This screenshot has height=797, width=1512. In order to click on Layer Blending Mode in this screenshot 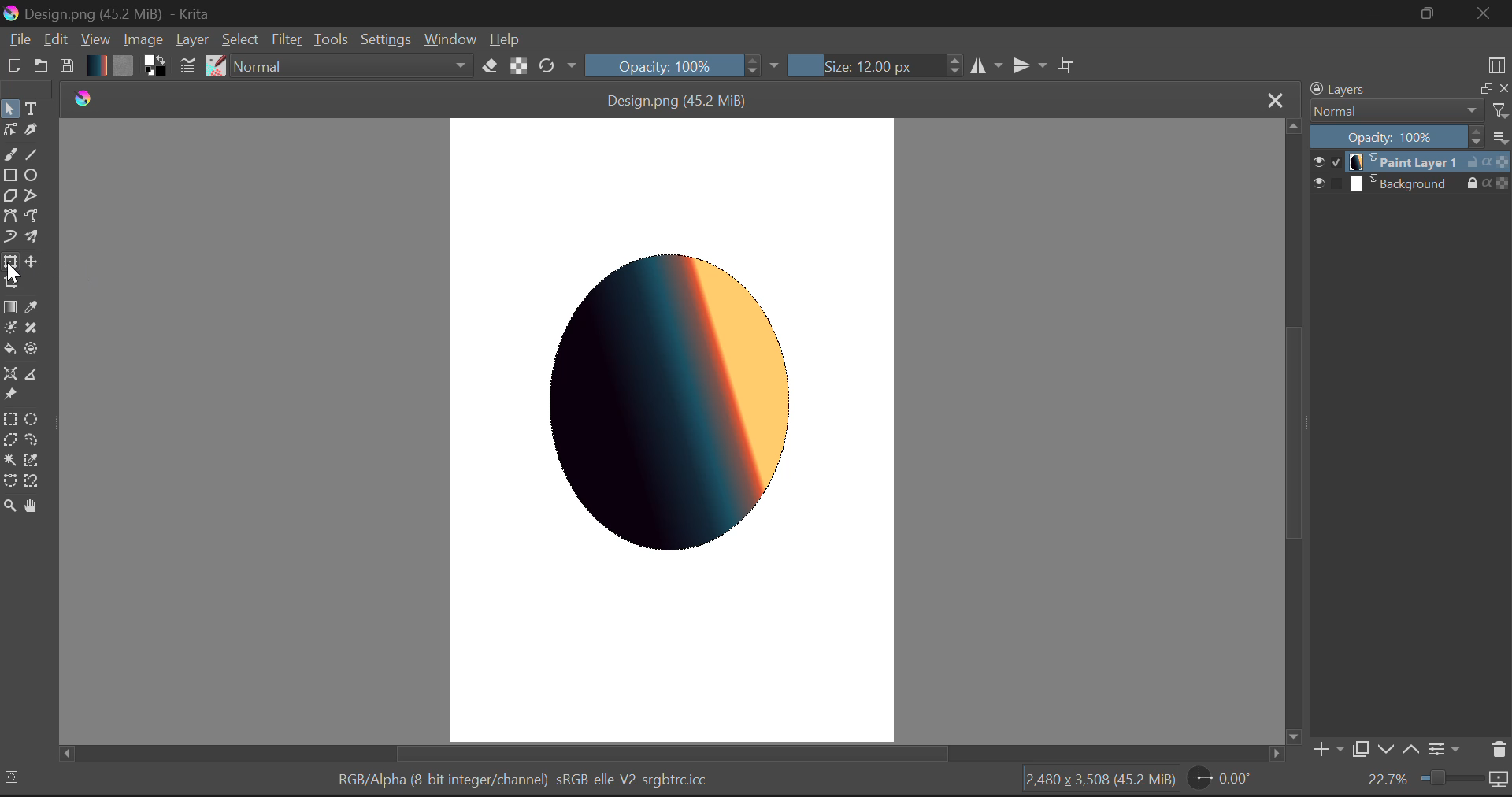, I will do `click(1409, 112)`.